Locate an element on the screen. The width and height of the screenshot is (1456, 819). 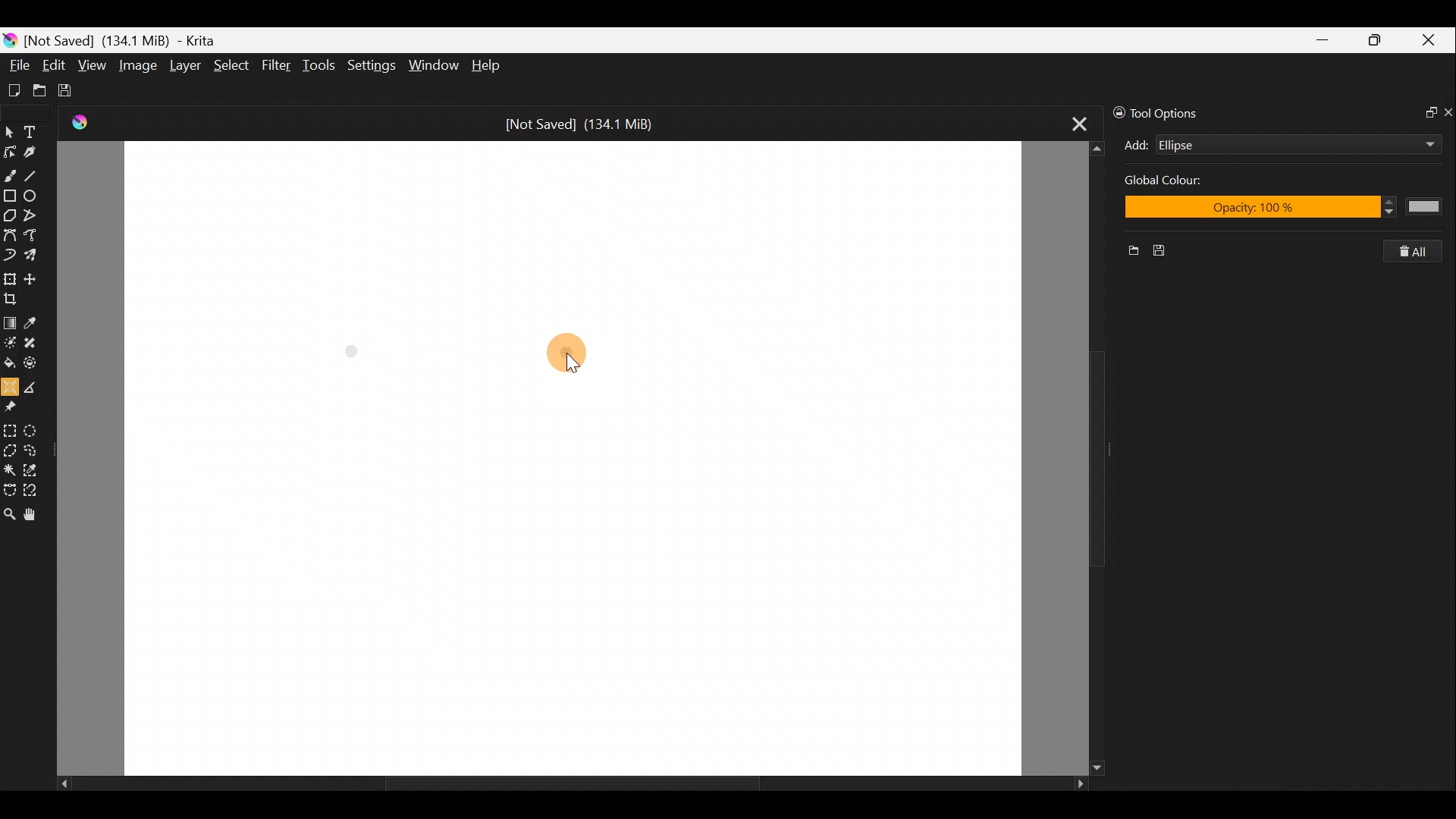
Close is located at coordinates (1432, 41).